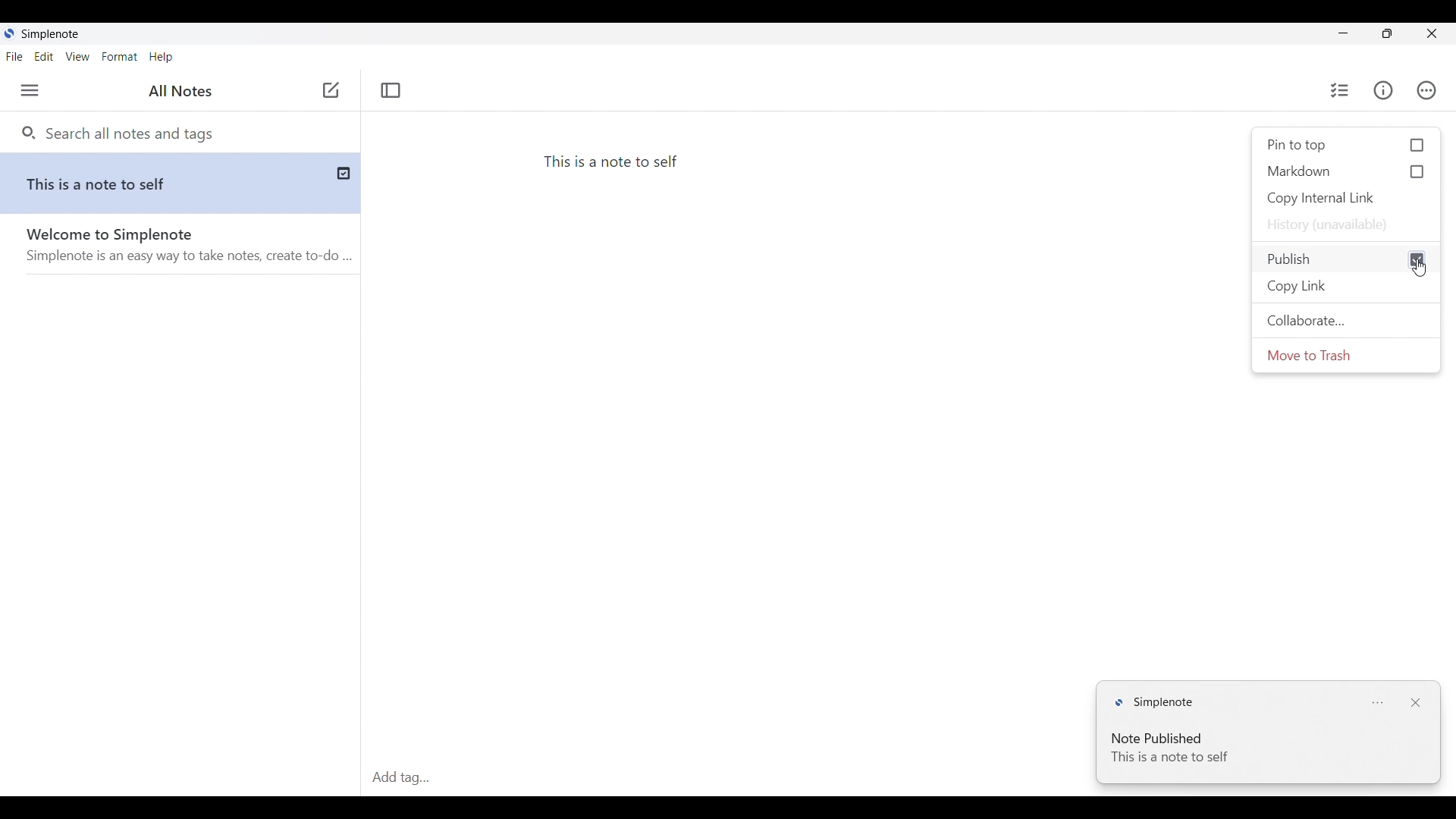 The image size is (1456, 819). Describe the element at coordinates (350, 172) in the screenshot. I see `published` at that location.